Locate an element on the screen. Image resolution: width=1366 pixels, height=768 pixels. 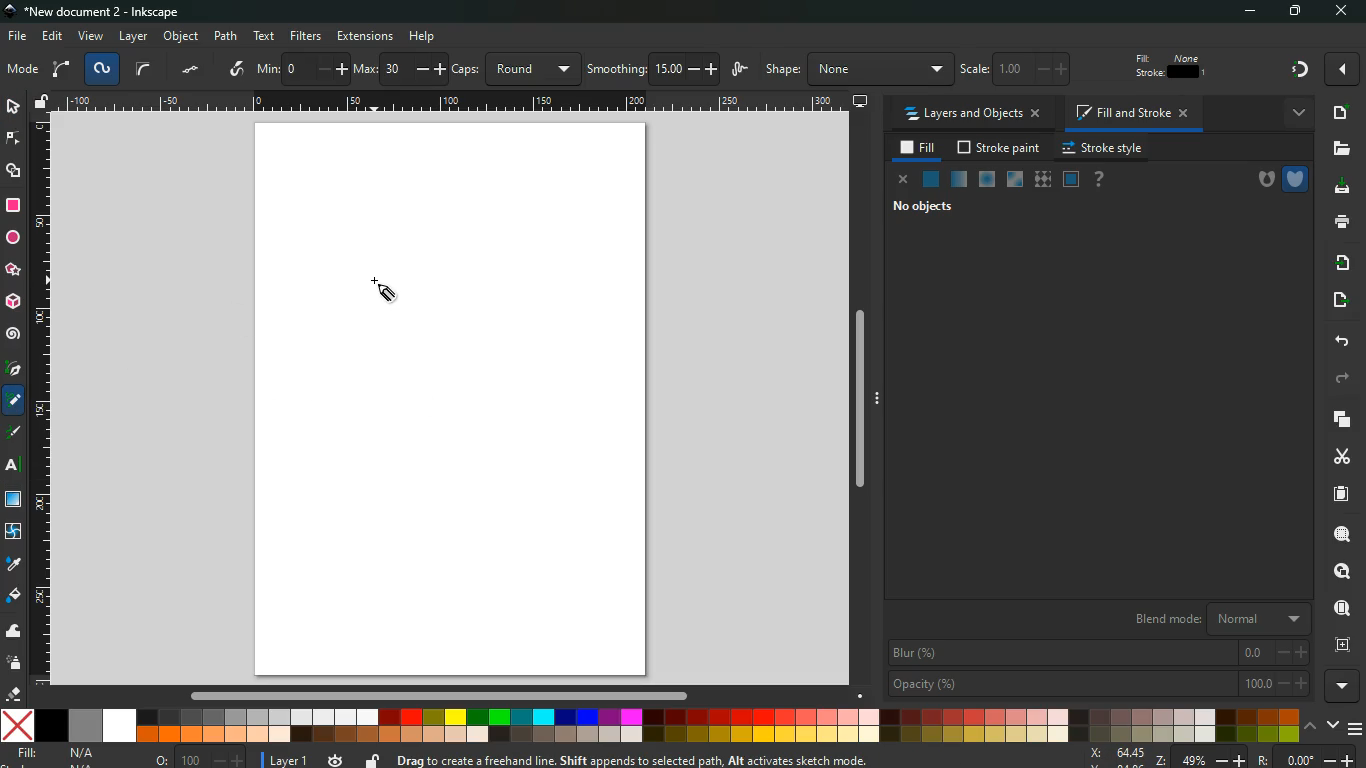
fill is located at coordinates (14, 596).